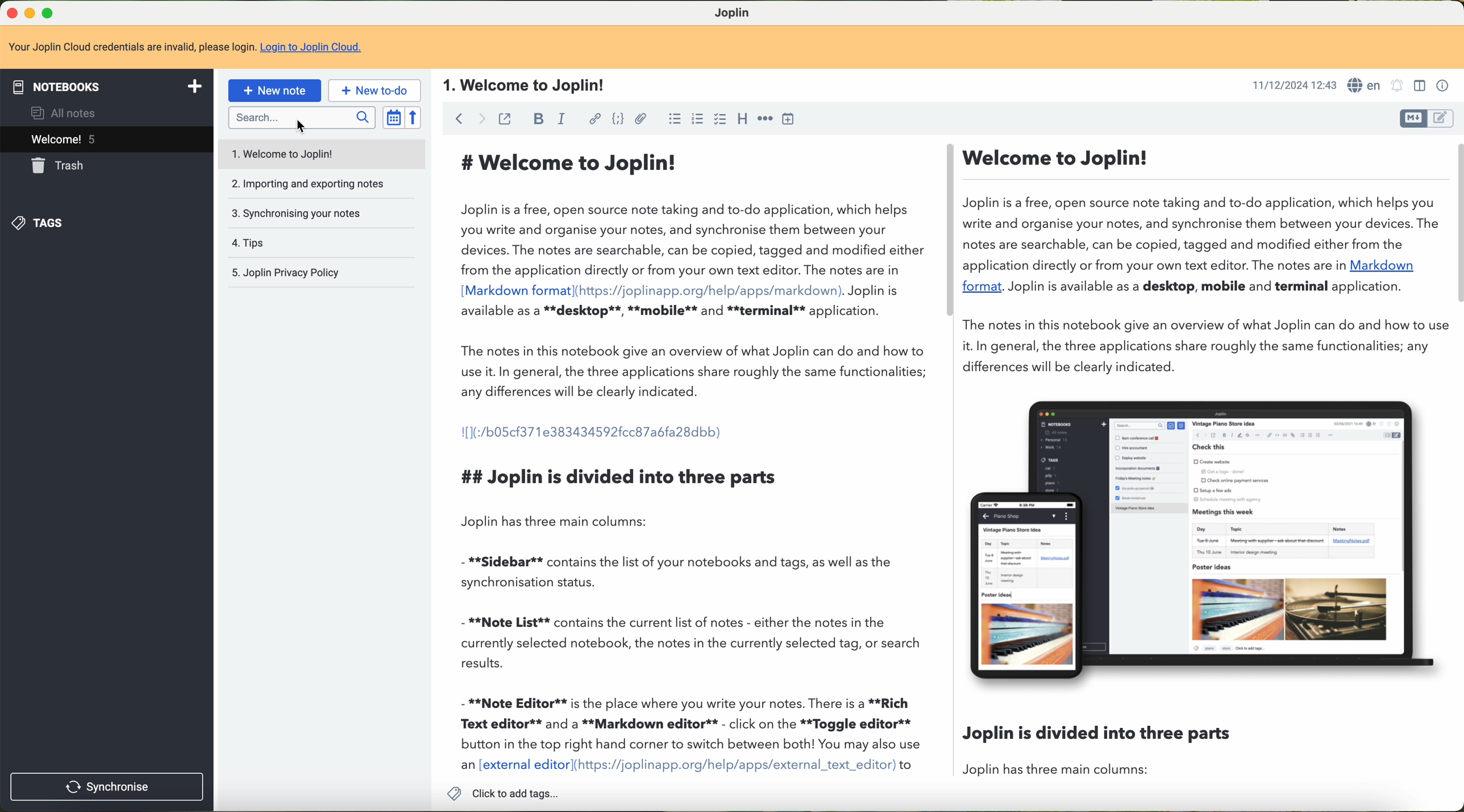 Image resolution: width=1464 pixels, height=812 pixels. What do you see at coordinates (1419, 86) in the screenshot?
I see `toggle editor layout` at bounding box center [1419, 86].